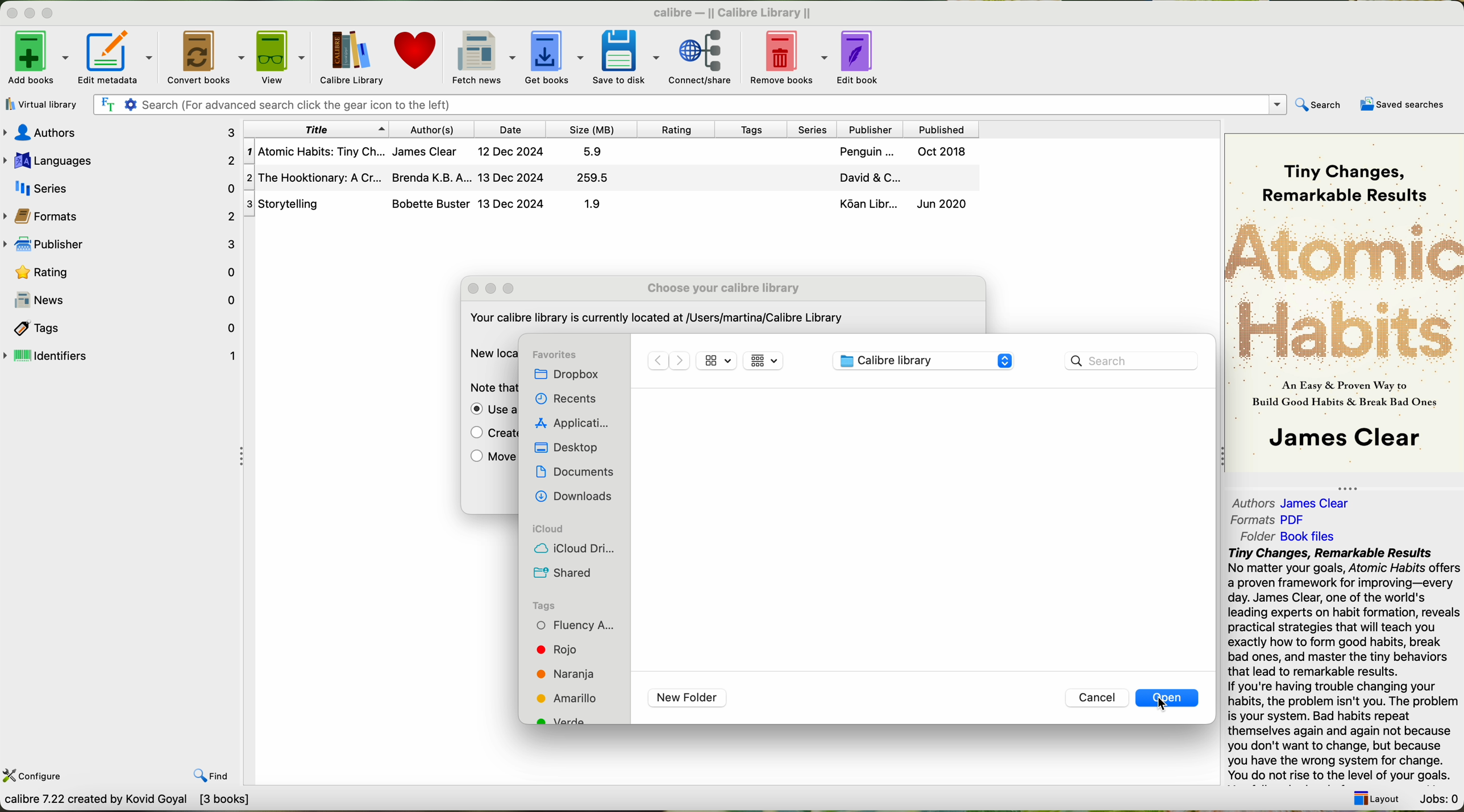 The height and width of the screenshot is (812, 1464). I want to click on rating, so click(122, 272).